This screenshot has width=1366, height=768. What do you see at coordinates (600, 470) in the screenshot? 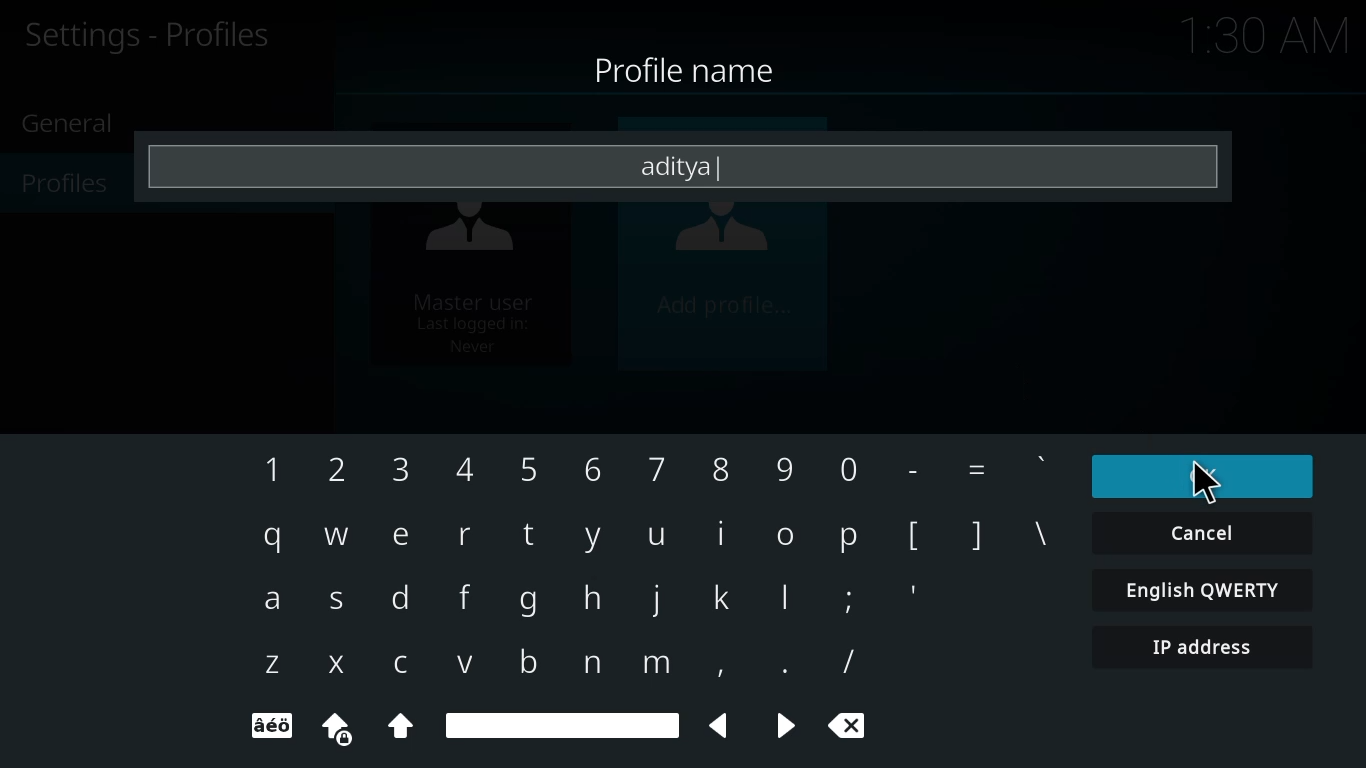
I see `6` at bounding box center [600, 470].